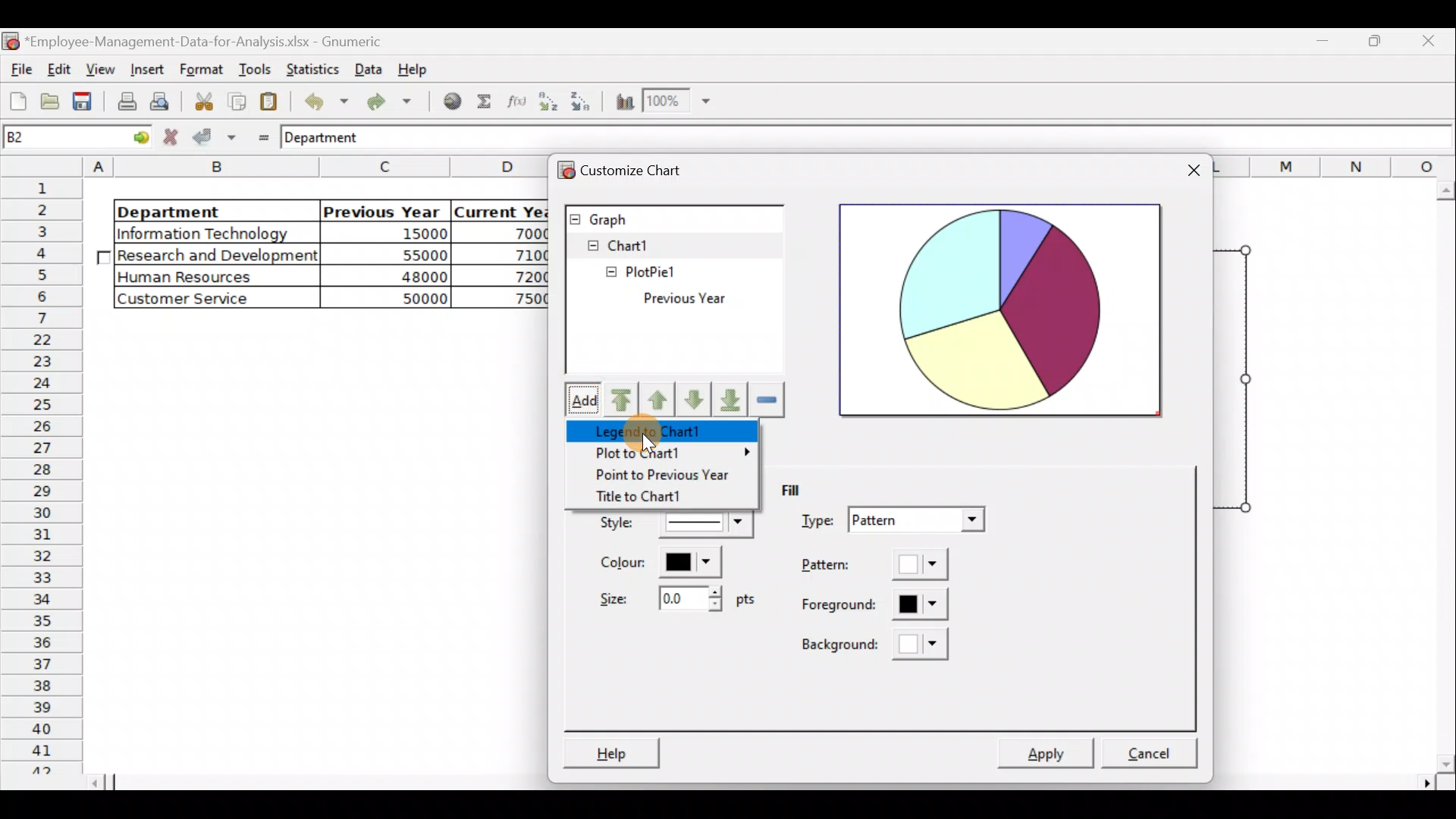 The width and height of the screenshot is (1456, 819). I want to click on Cursor on Legend to chart1, so click(651, 429).